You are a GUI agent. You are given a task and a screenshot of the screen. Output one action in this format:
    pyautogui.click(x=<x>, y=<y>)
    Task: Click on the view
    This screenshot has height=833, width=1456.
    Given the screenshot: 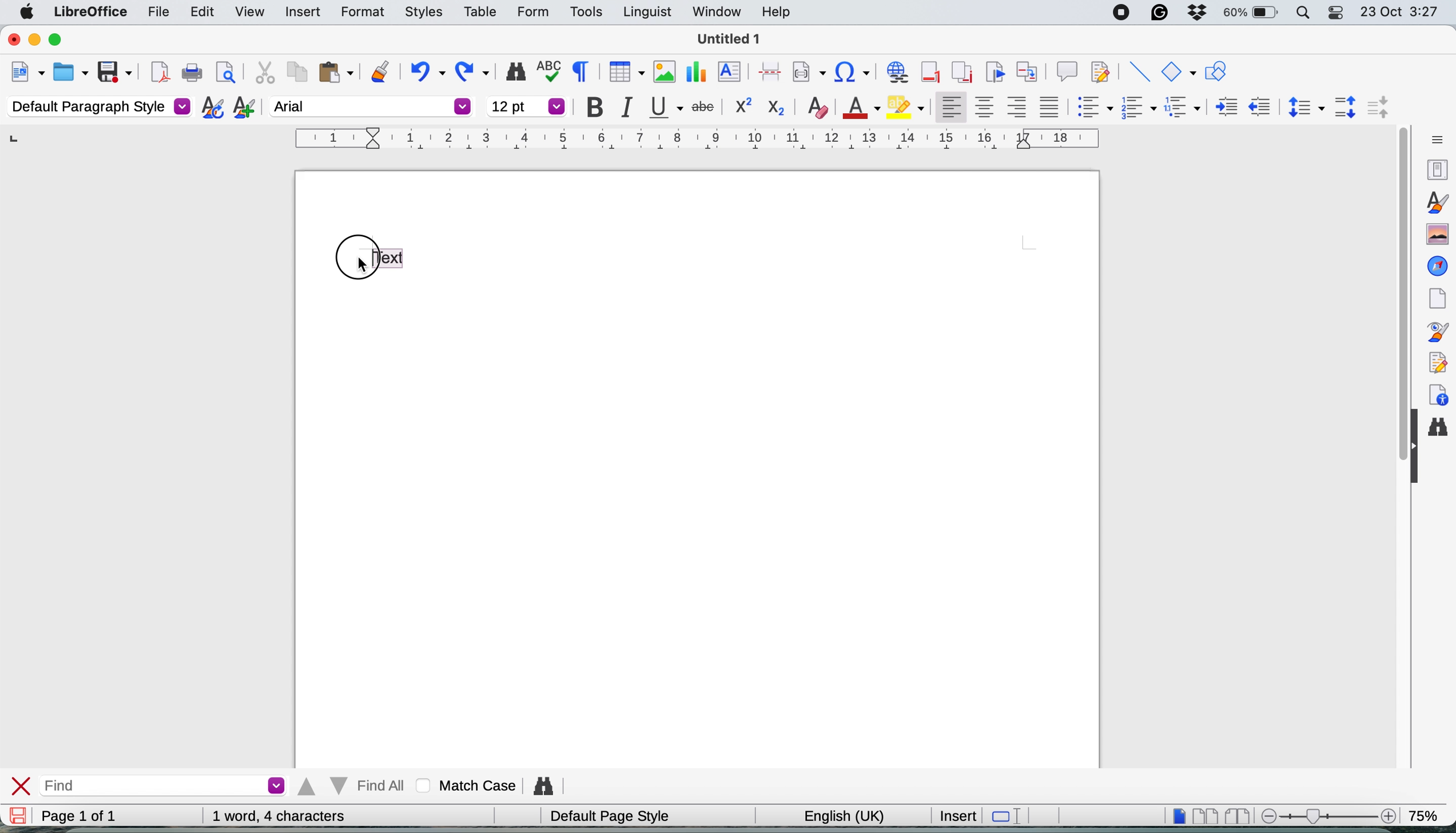 What is the action you would take?
    pyautogui.click(x=251, y=11)
    